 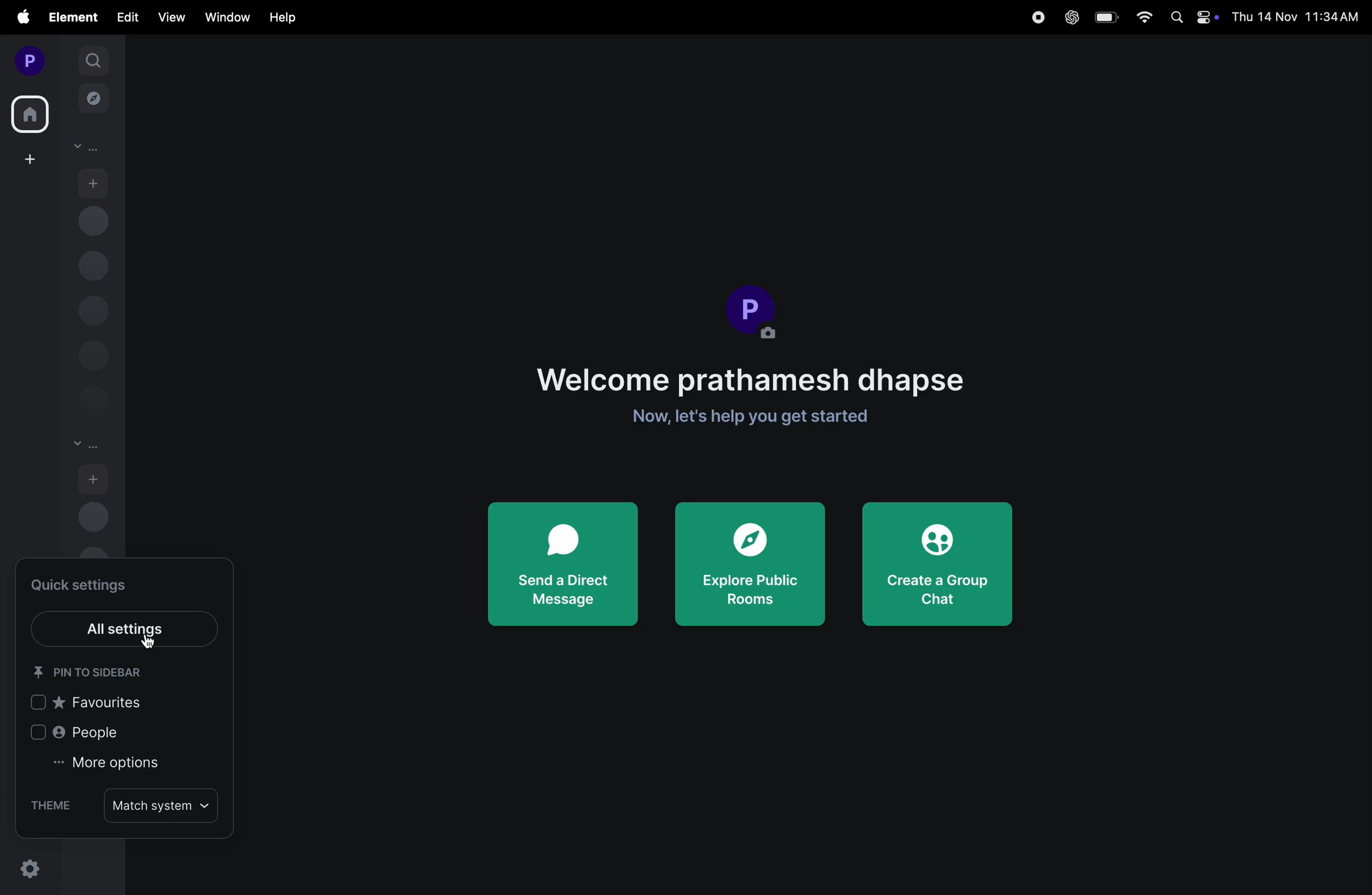 I want to click on cursor, so click(x=148, y=641).